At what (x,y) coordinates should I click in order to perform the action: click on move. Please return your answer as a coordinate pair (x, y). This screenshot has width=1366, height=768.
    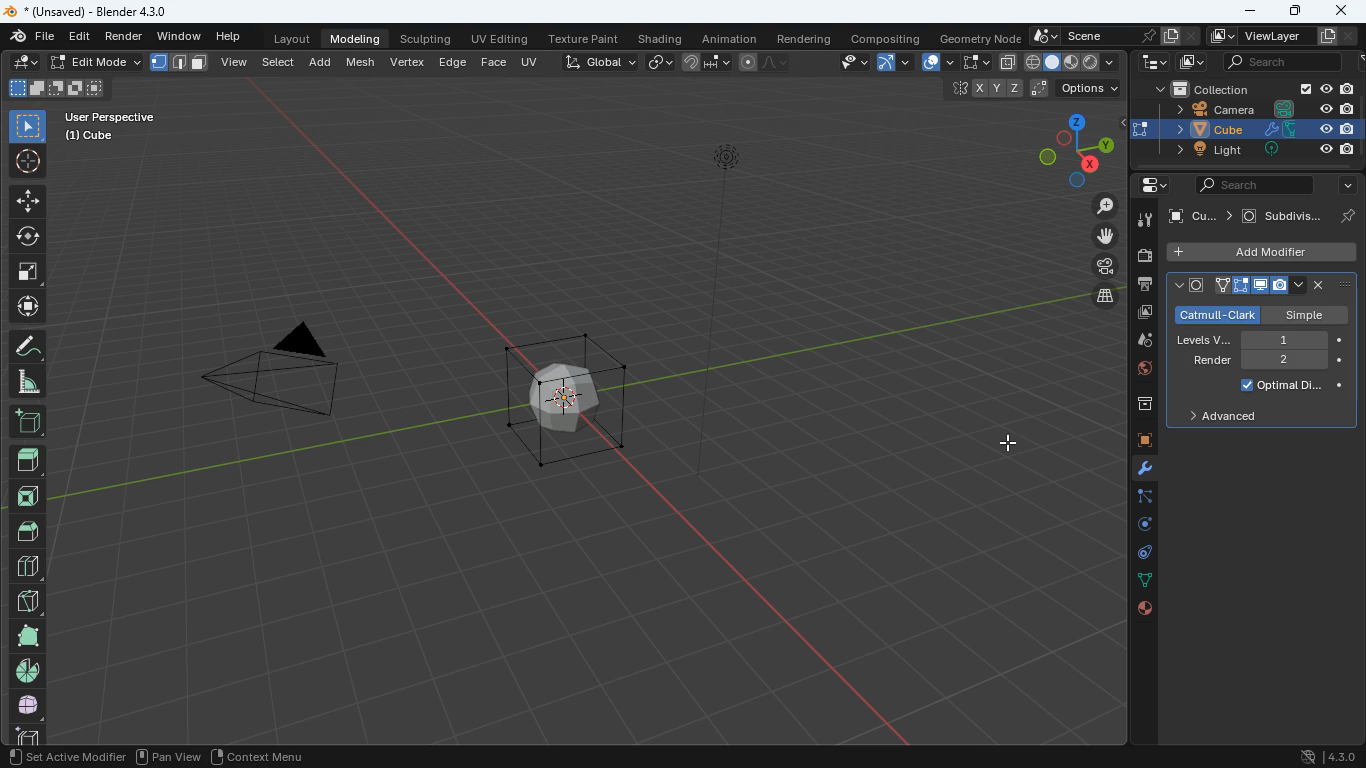
    Looking at the image, I should click on (28, 309).